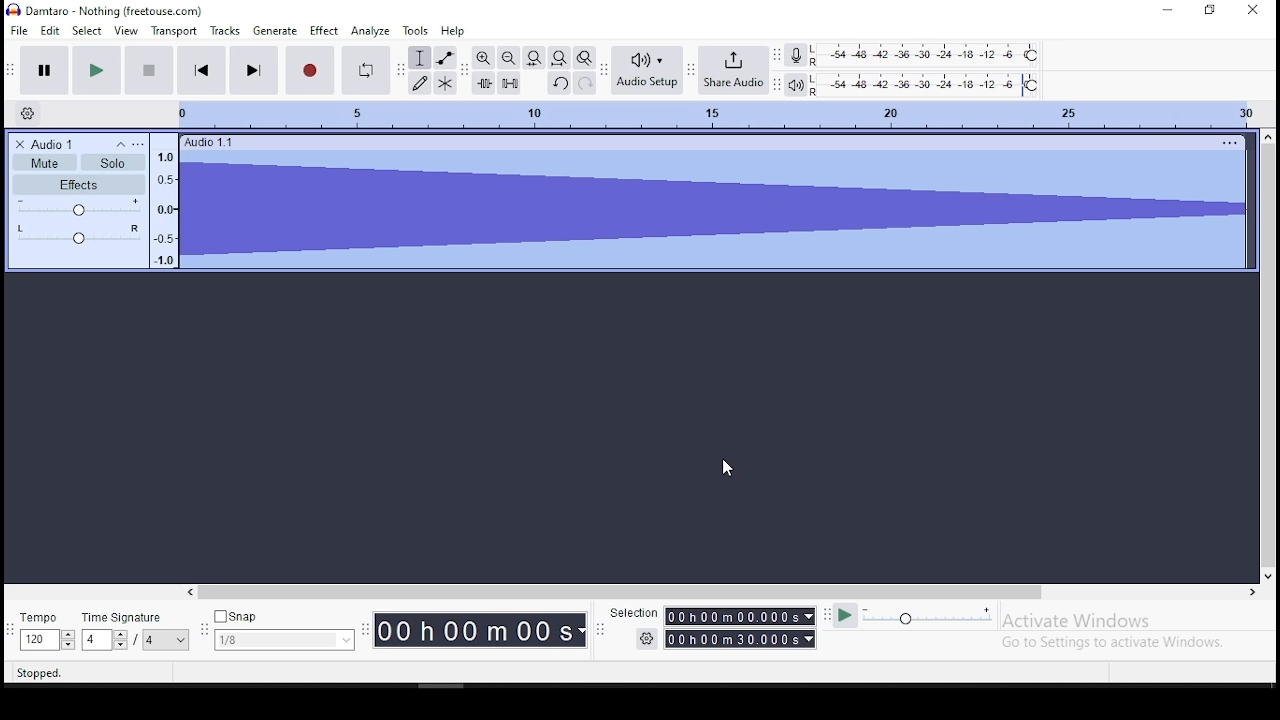  What do you see at coordinates (45, 162) in the screenshot?
I see `mute` at bounding box center [45, 162].